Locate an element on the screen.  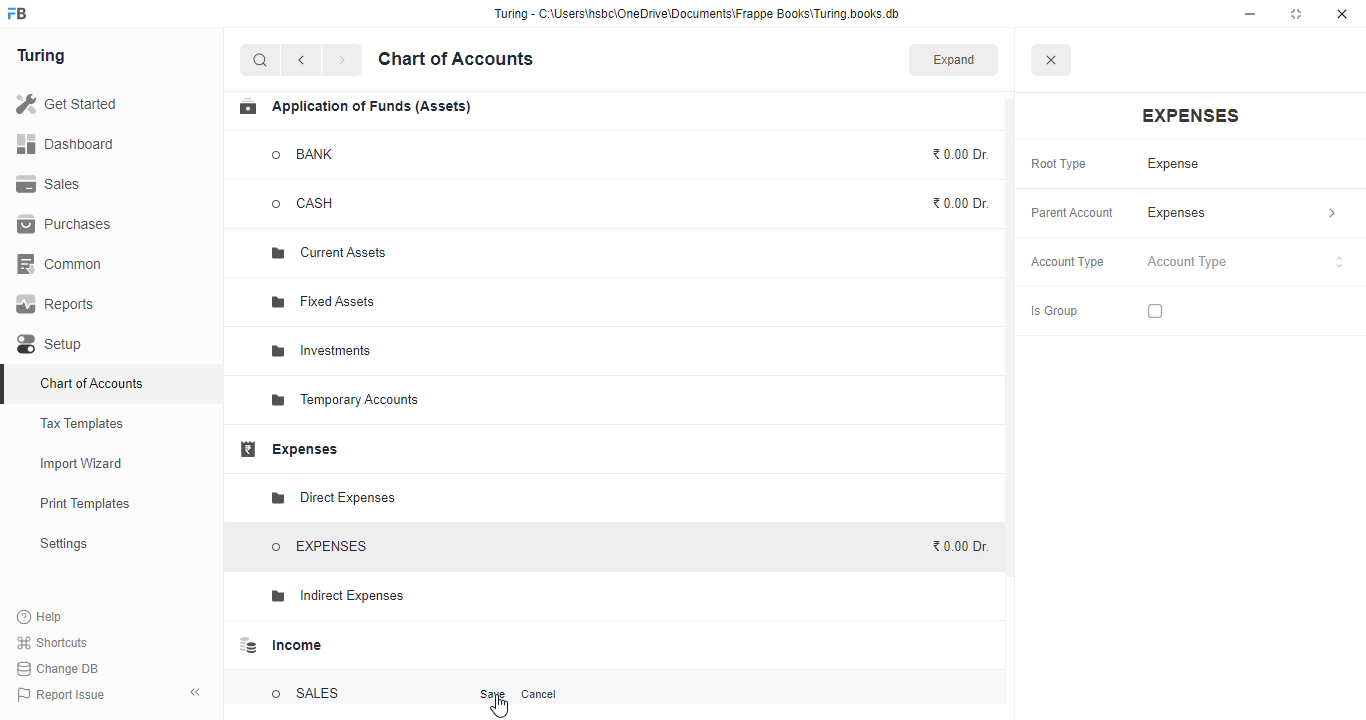
sales is located at coordinates (49, 184).